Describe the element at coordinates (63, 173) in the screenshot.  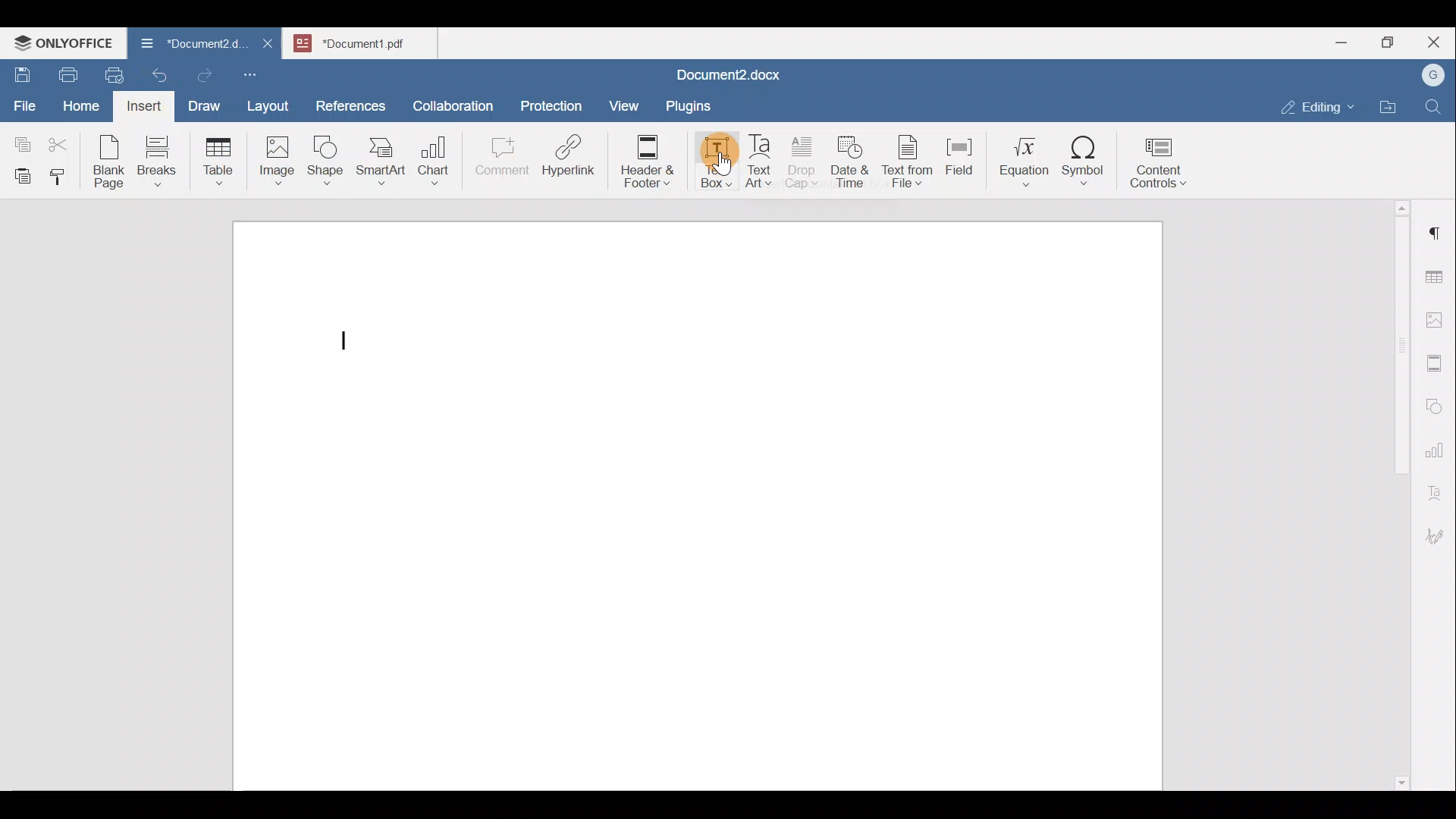
I see `Copy style` at that location.